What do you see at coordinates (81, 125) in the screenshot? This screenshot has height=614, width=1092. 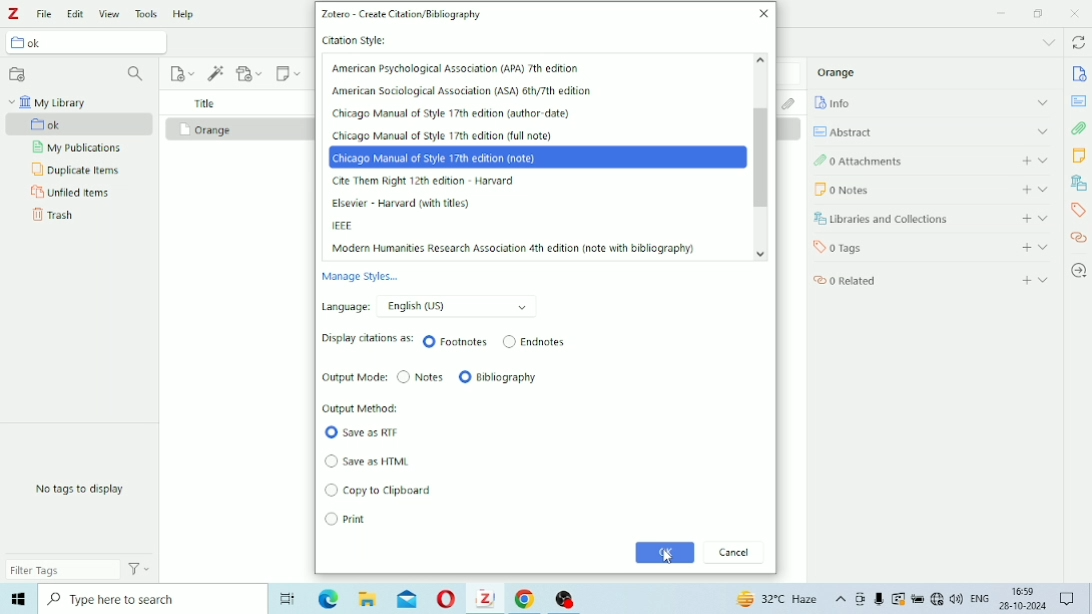 I see `ok` at bounding box center [81, 125].